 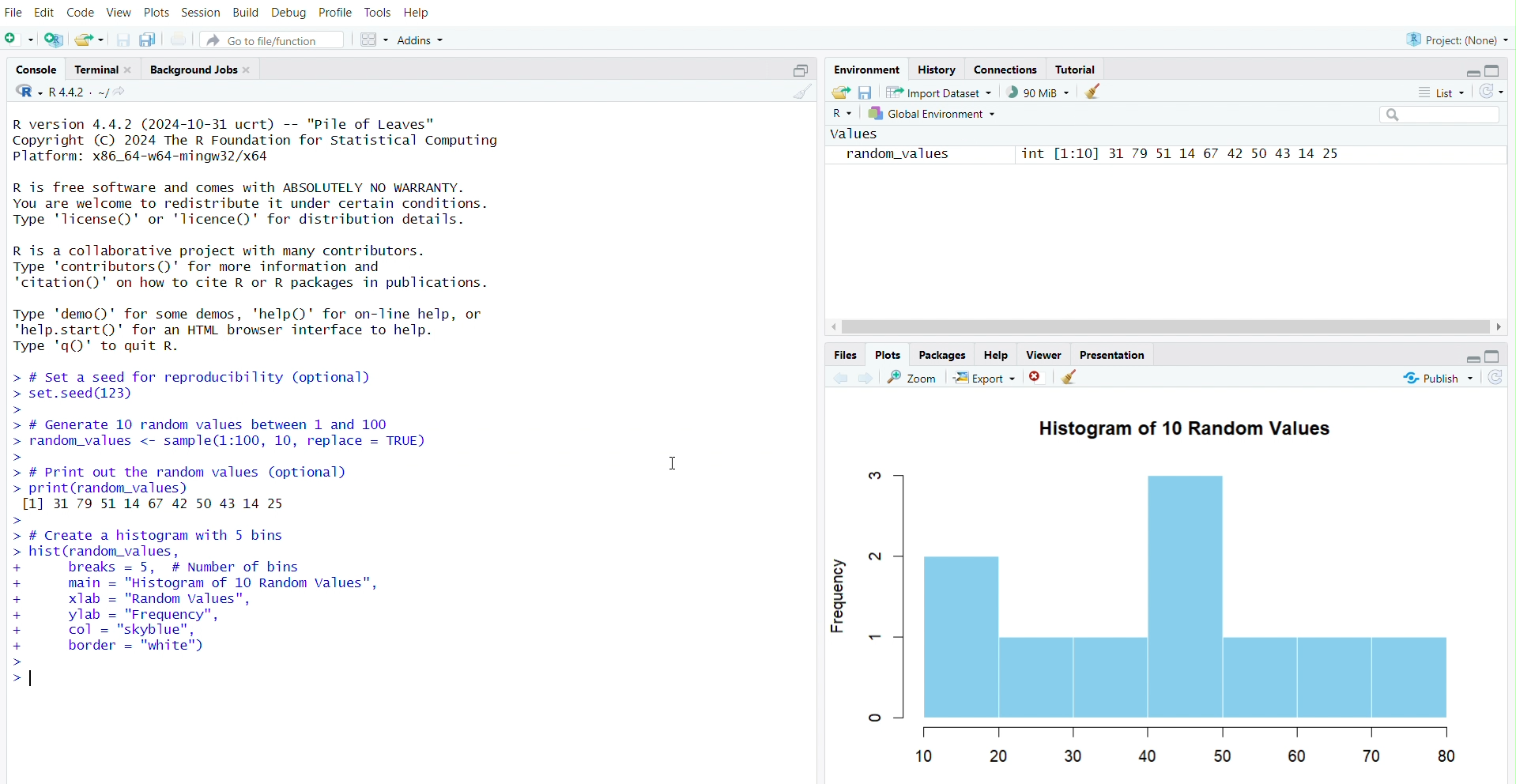 I want to click on plots, so click(x=889, y=355).